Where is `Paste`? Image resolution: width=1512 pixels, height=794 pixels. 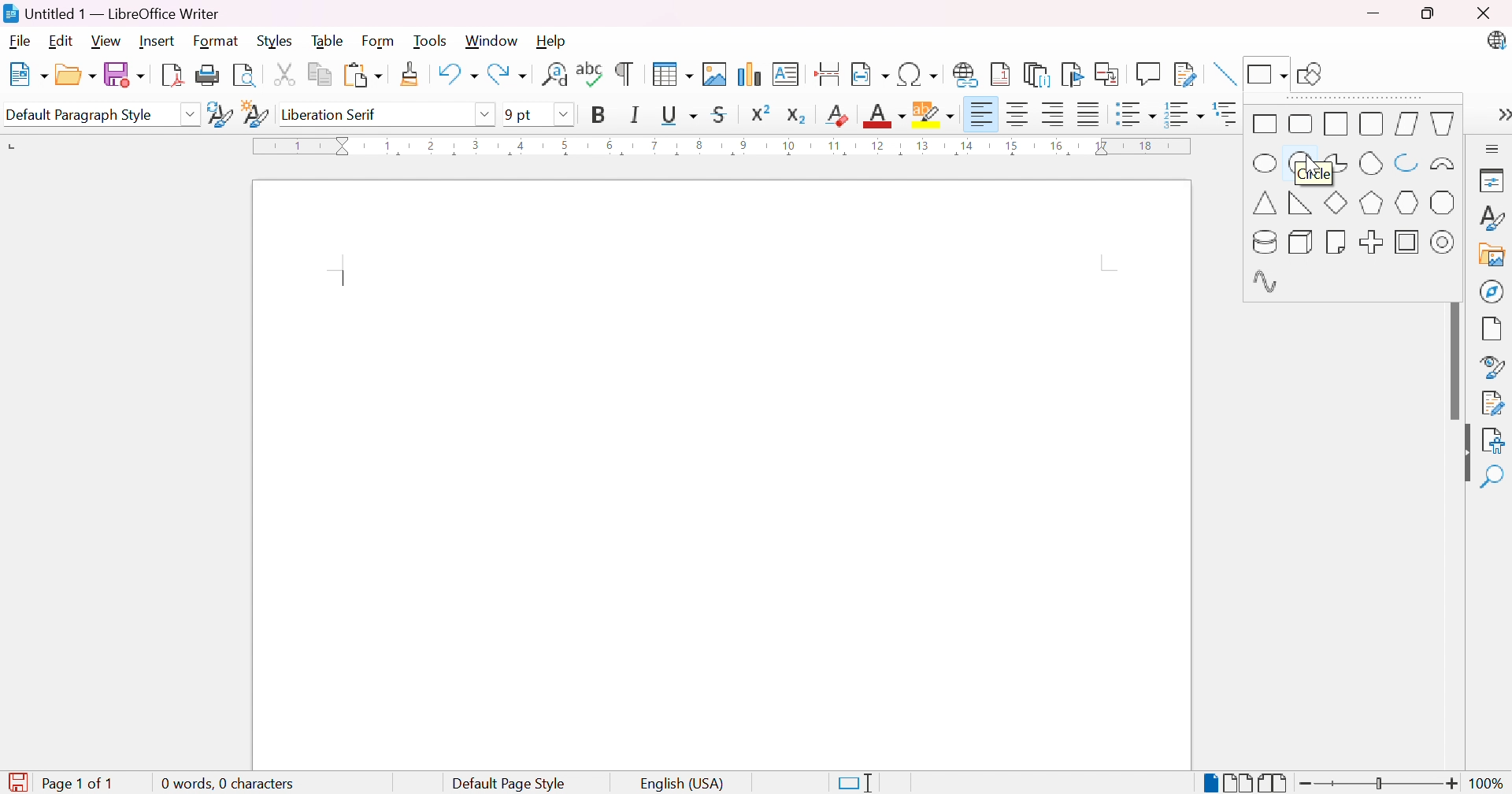
Paste is located at coordinates (363, 76).